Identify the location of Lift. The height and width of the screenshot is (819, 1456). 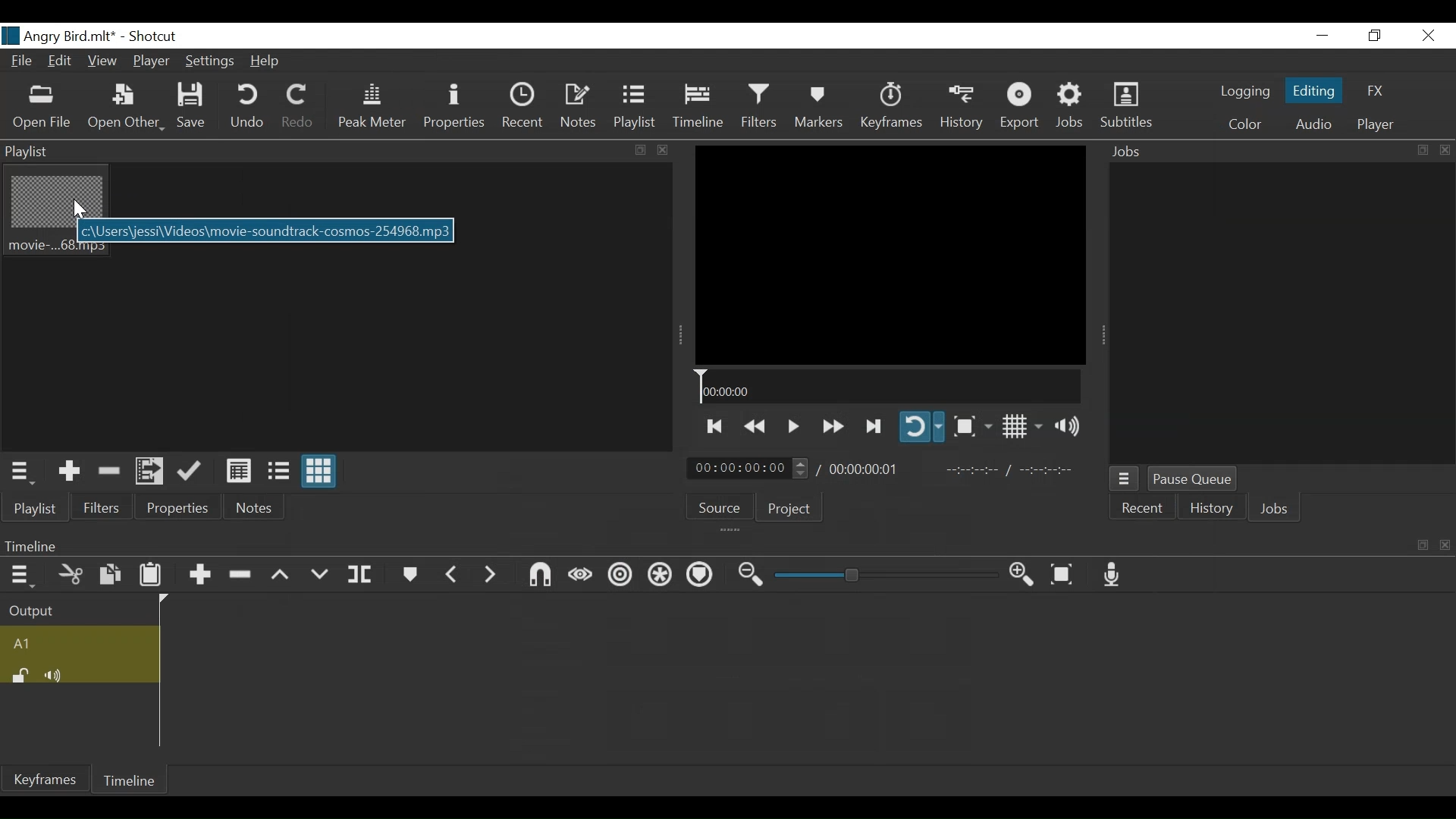
(281, 575).